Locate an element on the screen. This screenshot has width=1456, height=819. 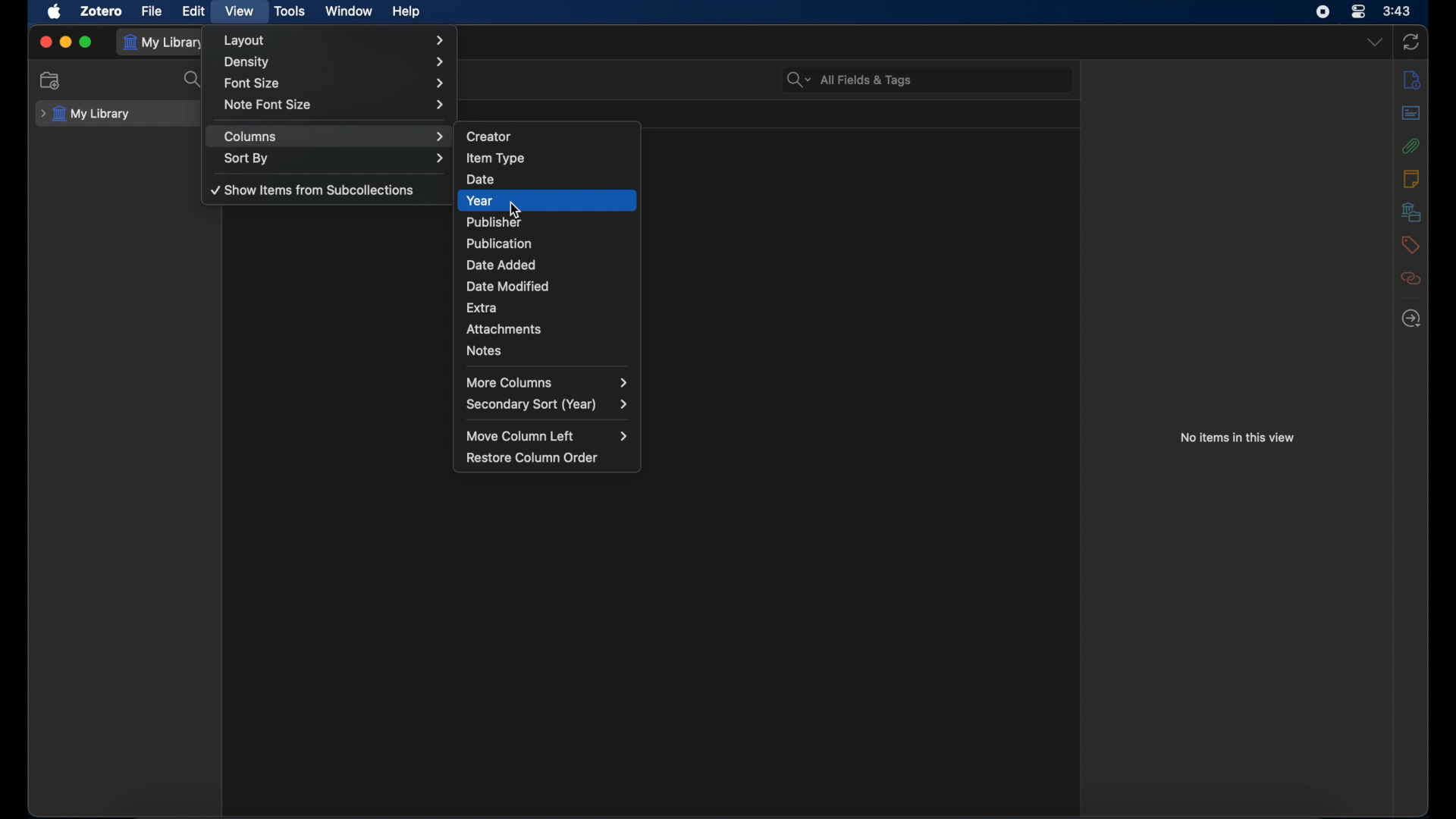
note font size is located at coordinates (336, 105).